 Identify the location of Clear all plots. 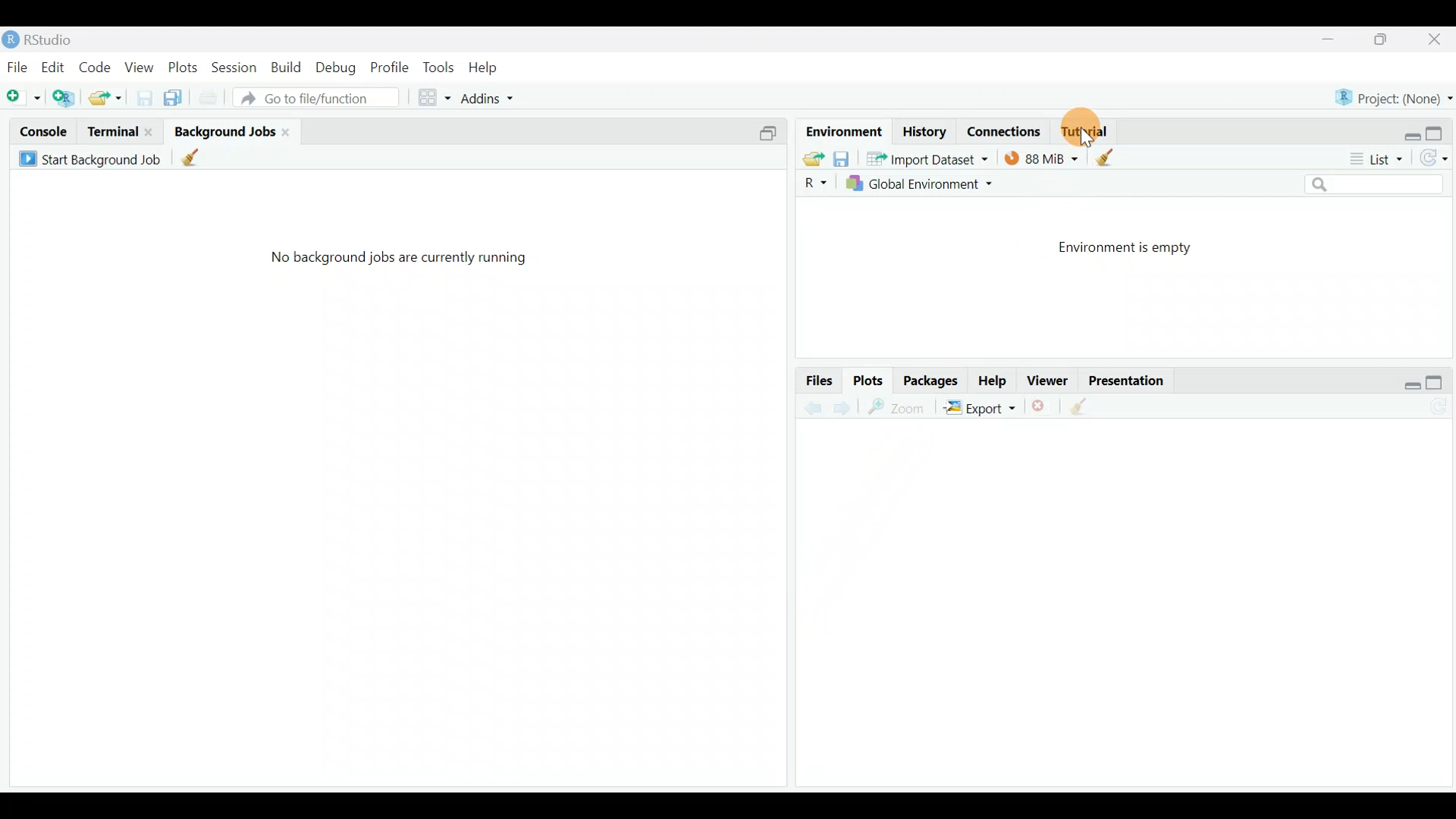
(1087, 406).